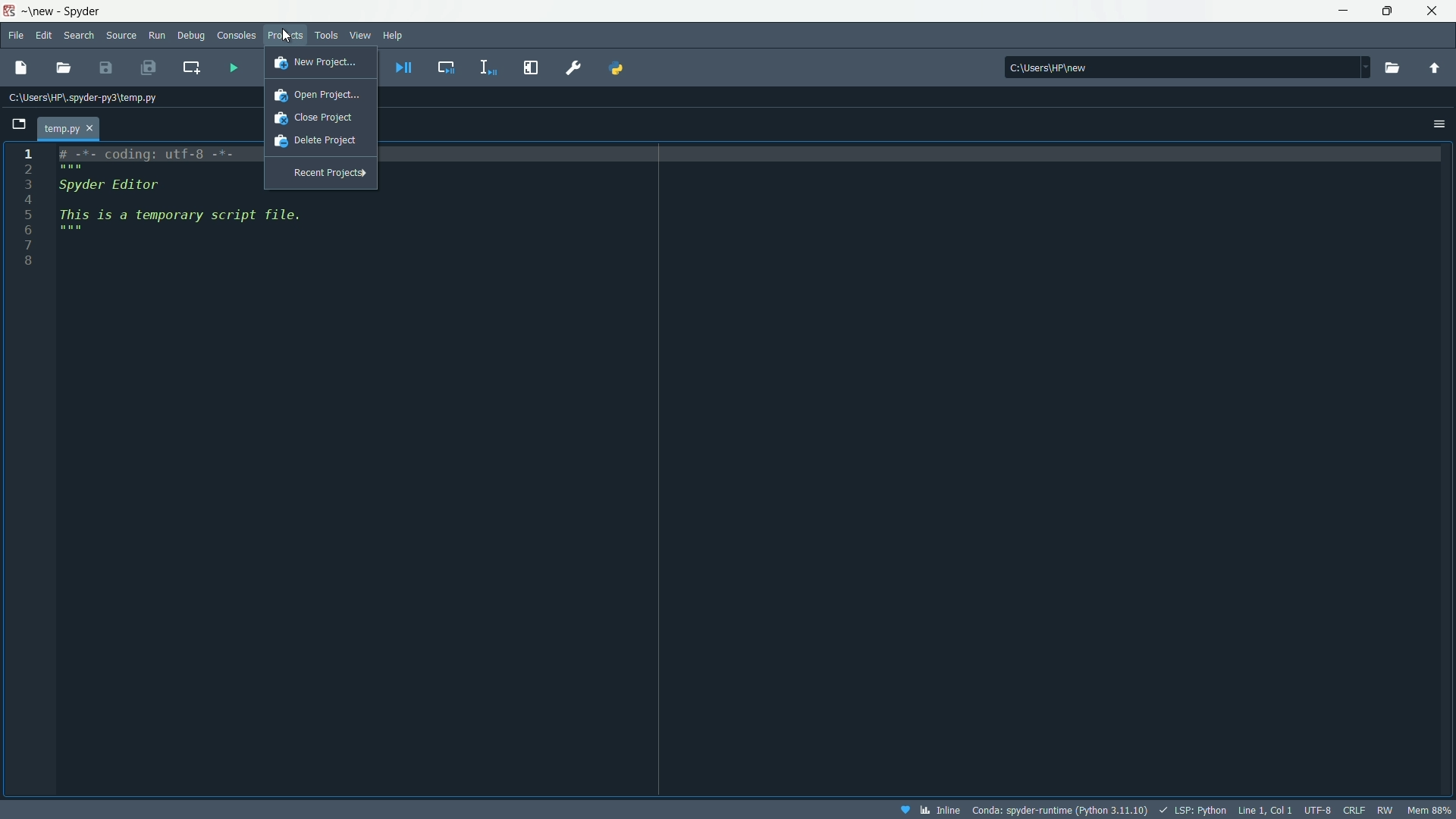 This screenshot has width=1456, height=819. What do you see at coordinates (1357, 808) in the screenshot?
I see `crlf` at bounding box center [1357, 808].